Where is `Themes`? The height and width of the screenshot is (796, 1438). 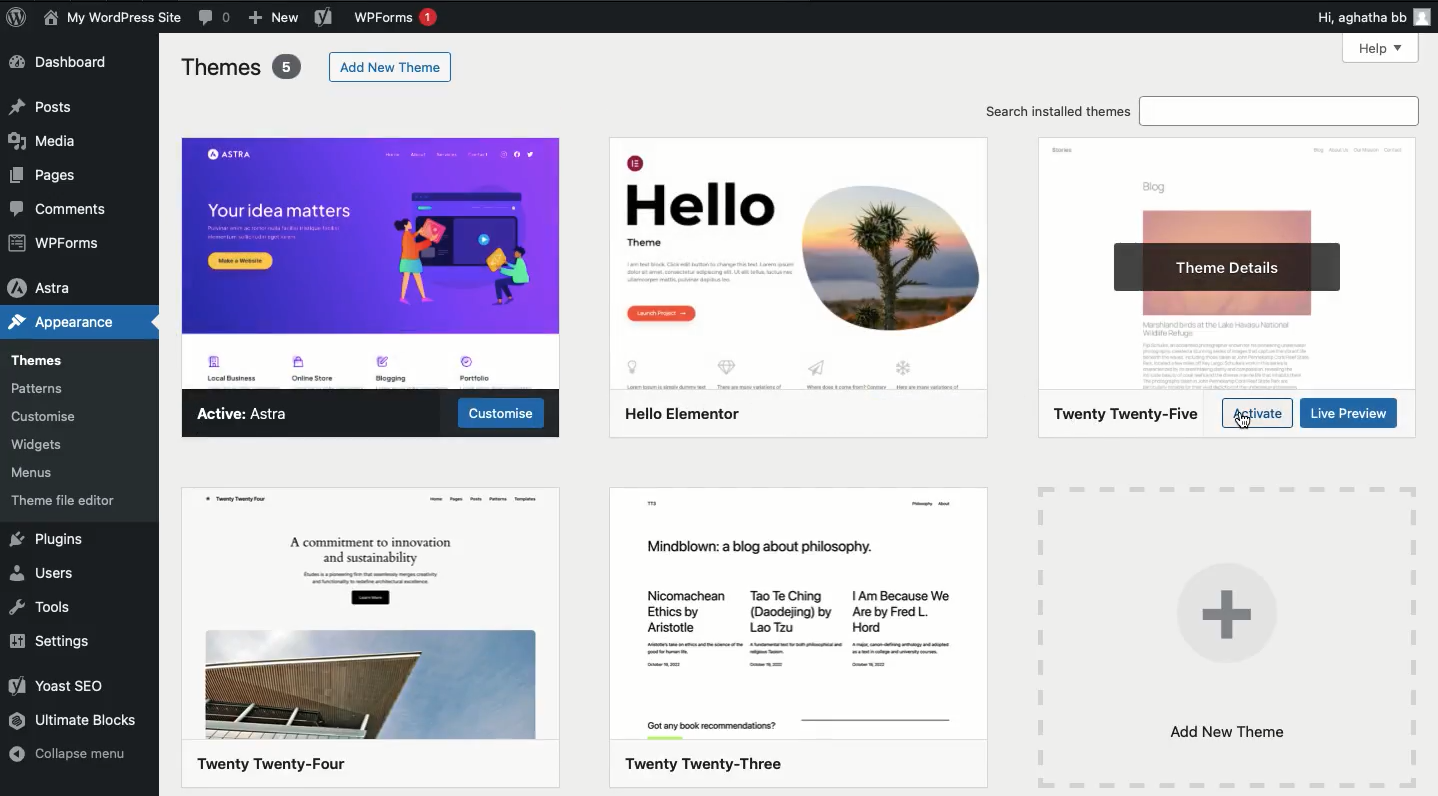
Themes is located at coordinates (43, 361).